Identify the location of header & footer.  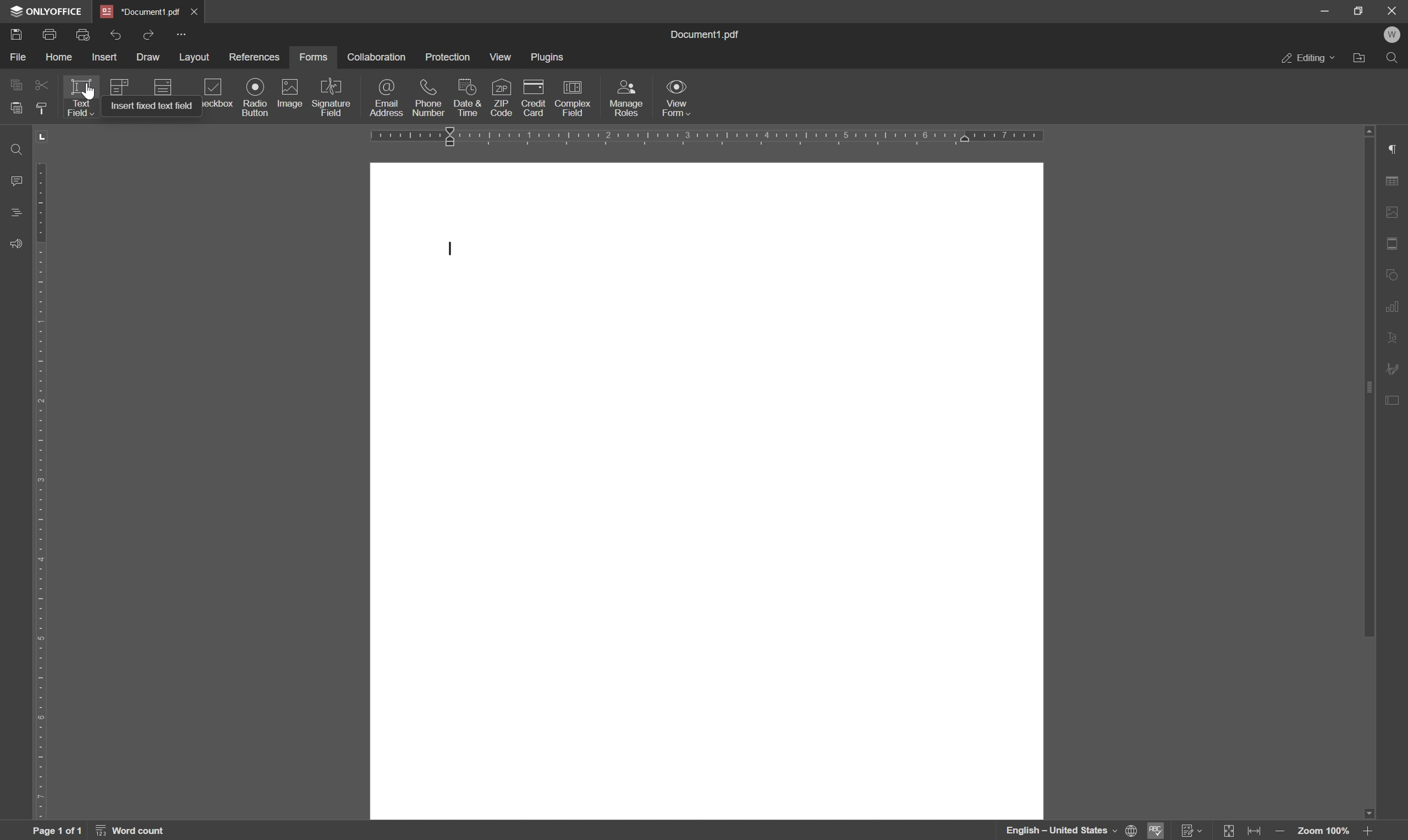
(1395, 243).